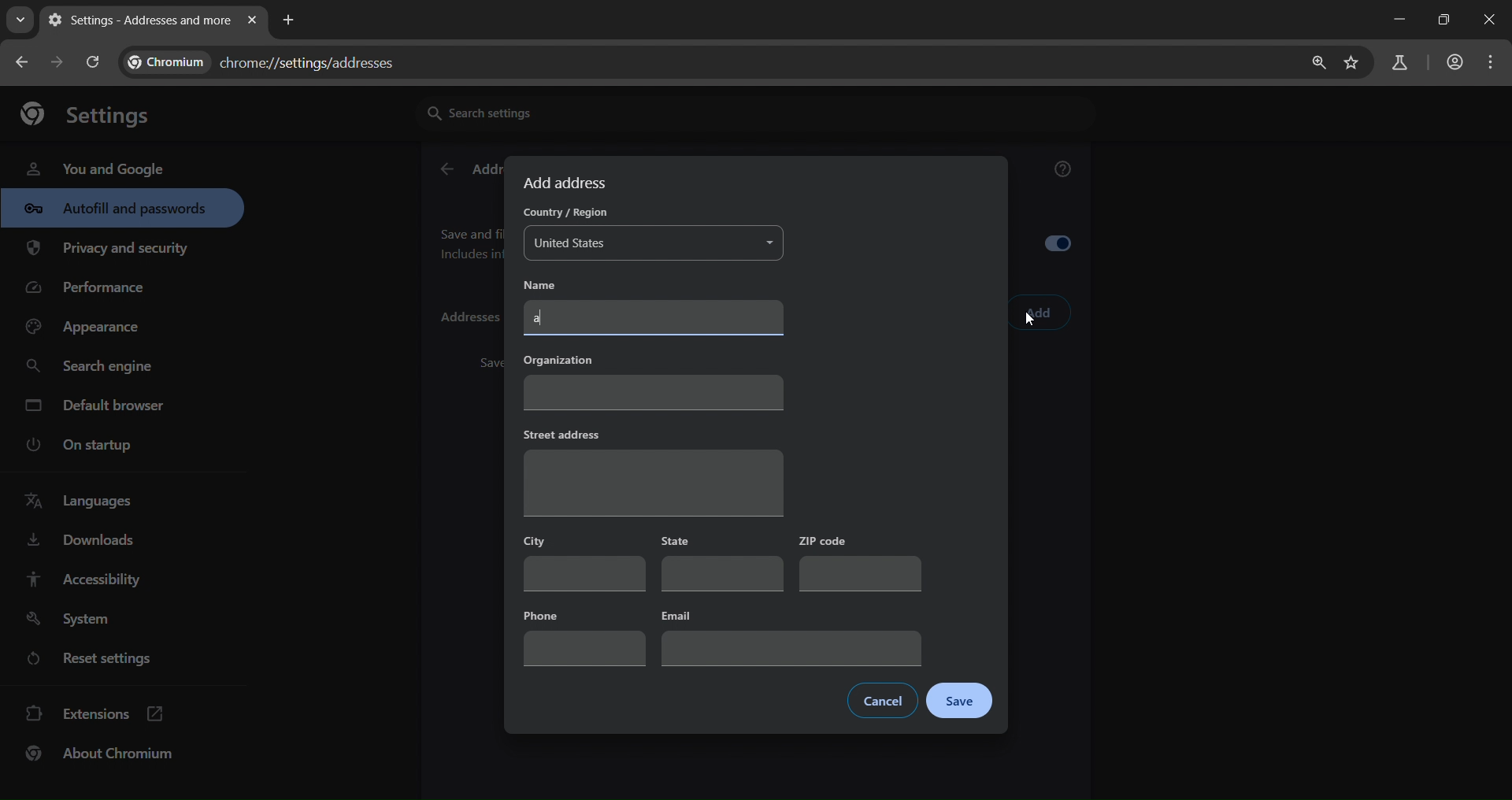 Image resolution: width=1512 pixels, height=800 pixels. Describe the element at coordinates (88, 328) in the screenshot. I see `appearance` at that location.